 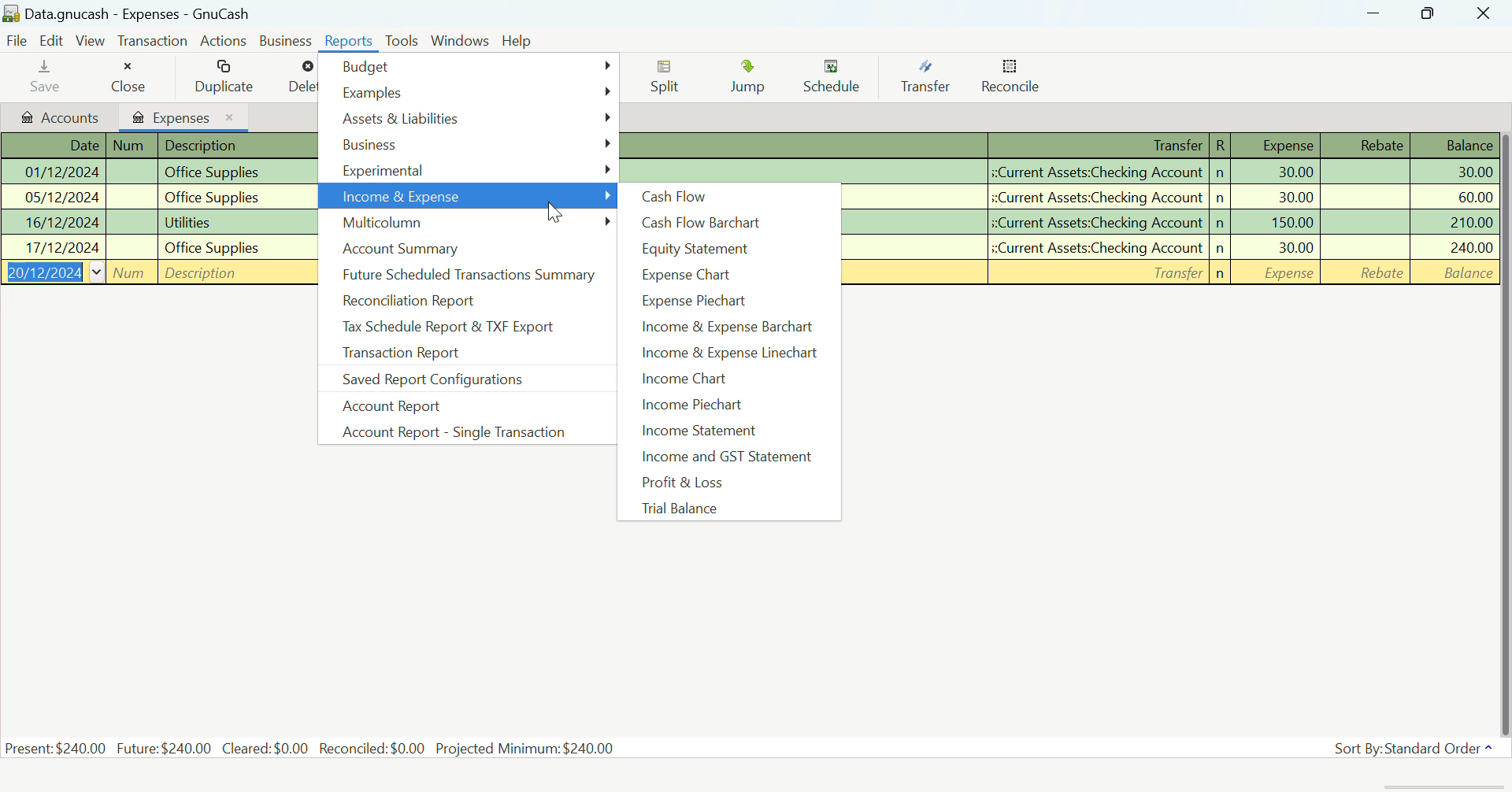 What do you see at coordinates (1171, 246) in the screenshot?
I see `Office Supplies Transaction` at bounding box center [1171, 246].